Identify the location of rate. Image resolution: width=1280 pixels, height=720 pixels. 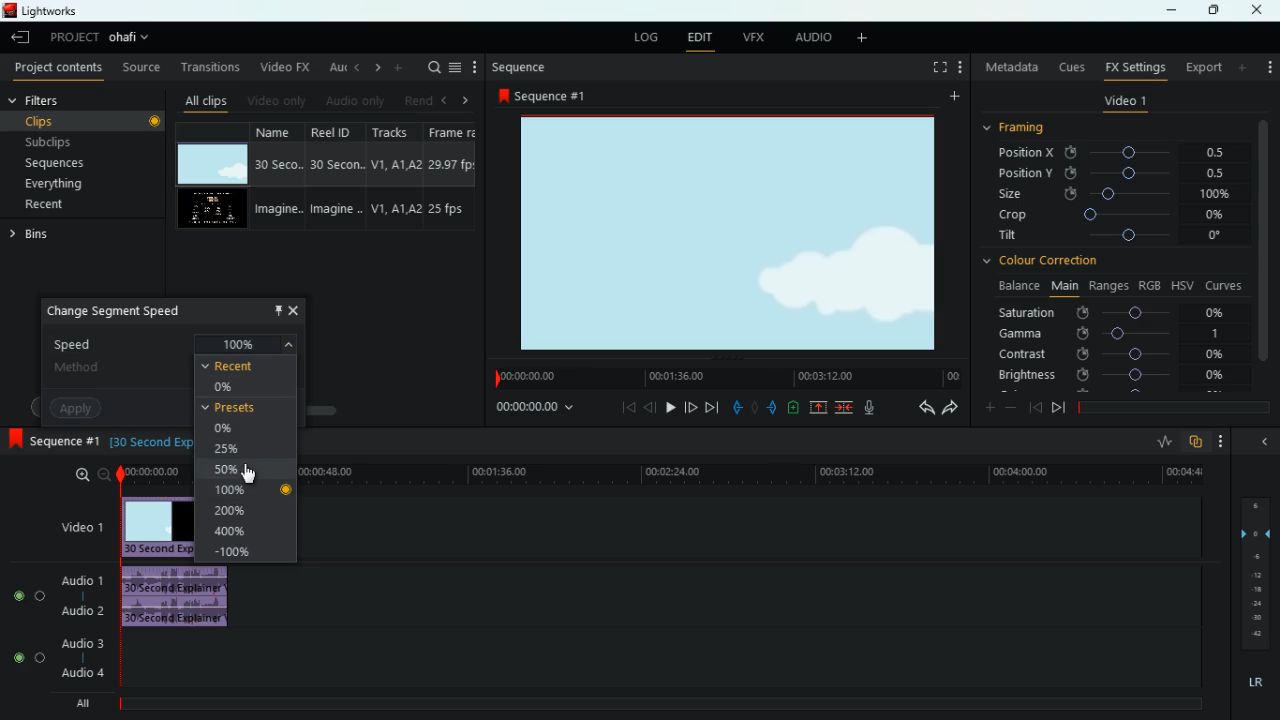
(1159, 442).